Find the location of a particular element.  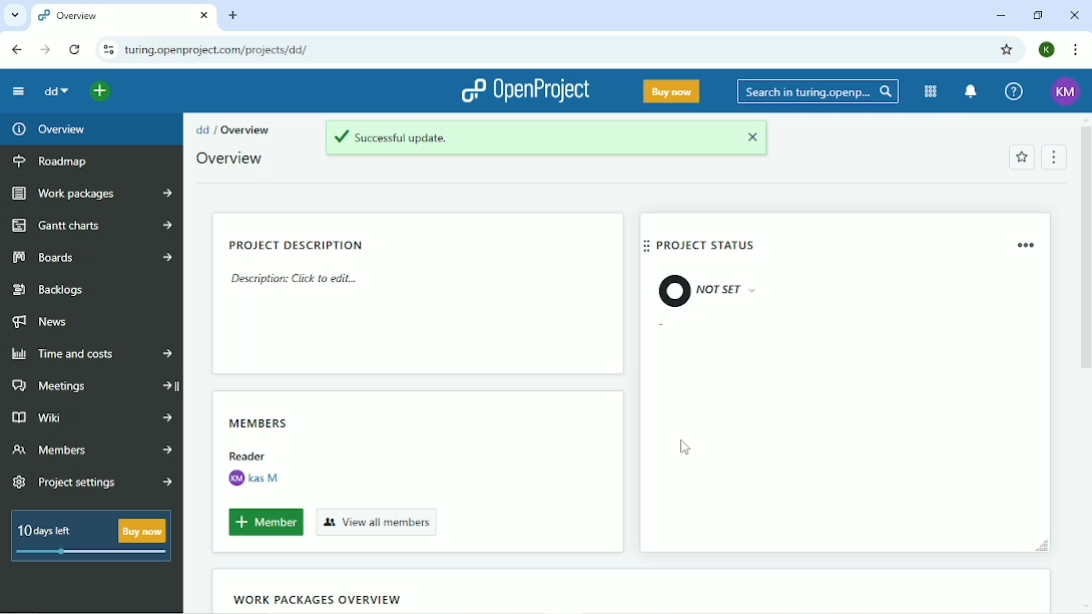

Work packages overview is located at coordinates (317, 599).